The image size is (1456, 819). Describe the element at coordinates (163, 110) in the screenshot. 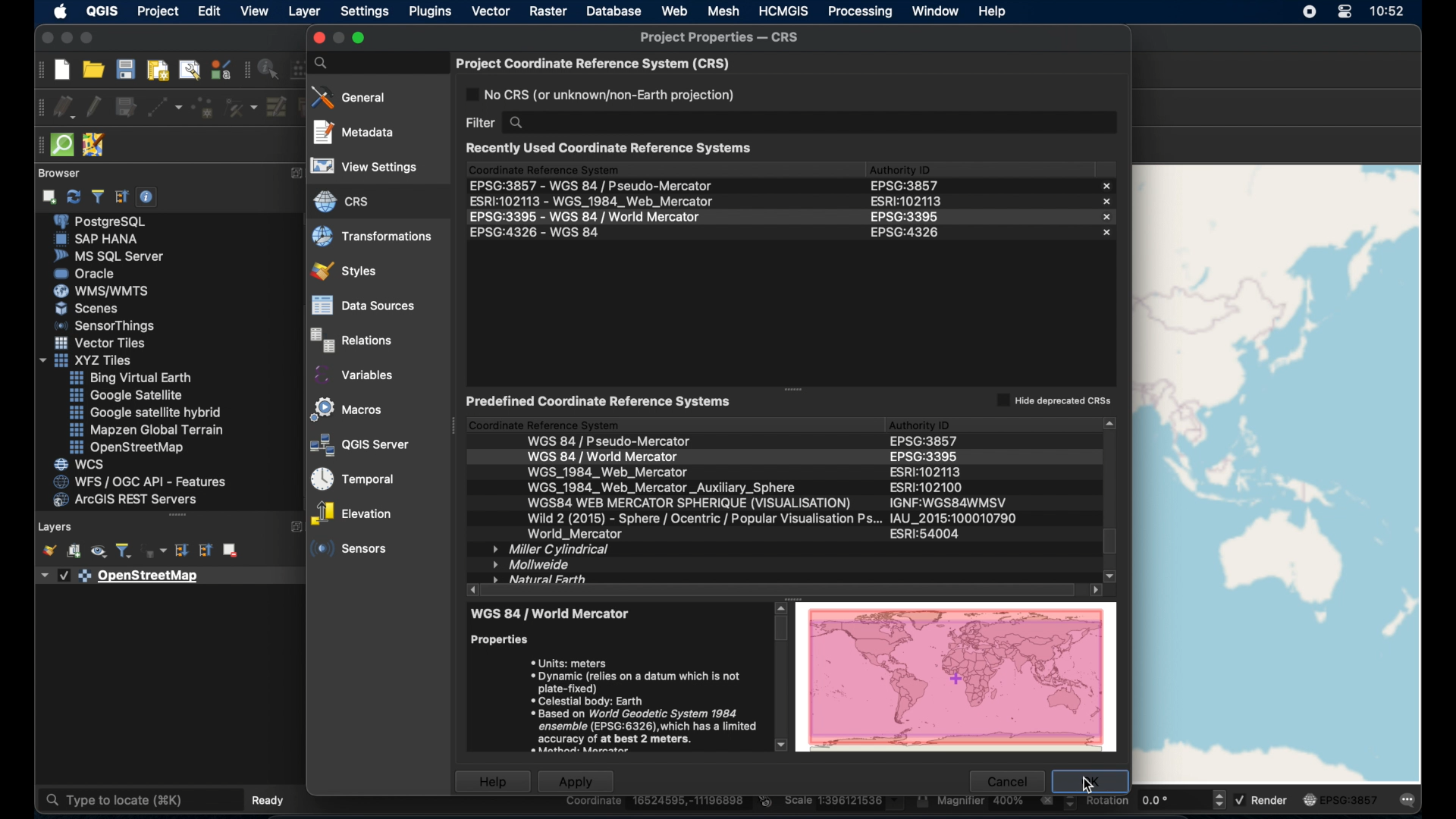

I see `digitize with segment` at that location.